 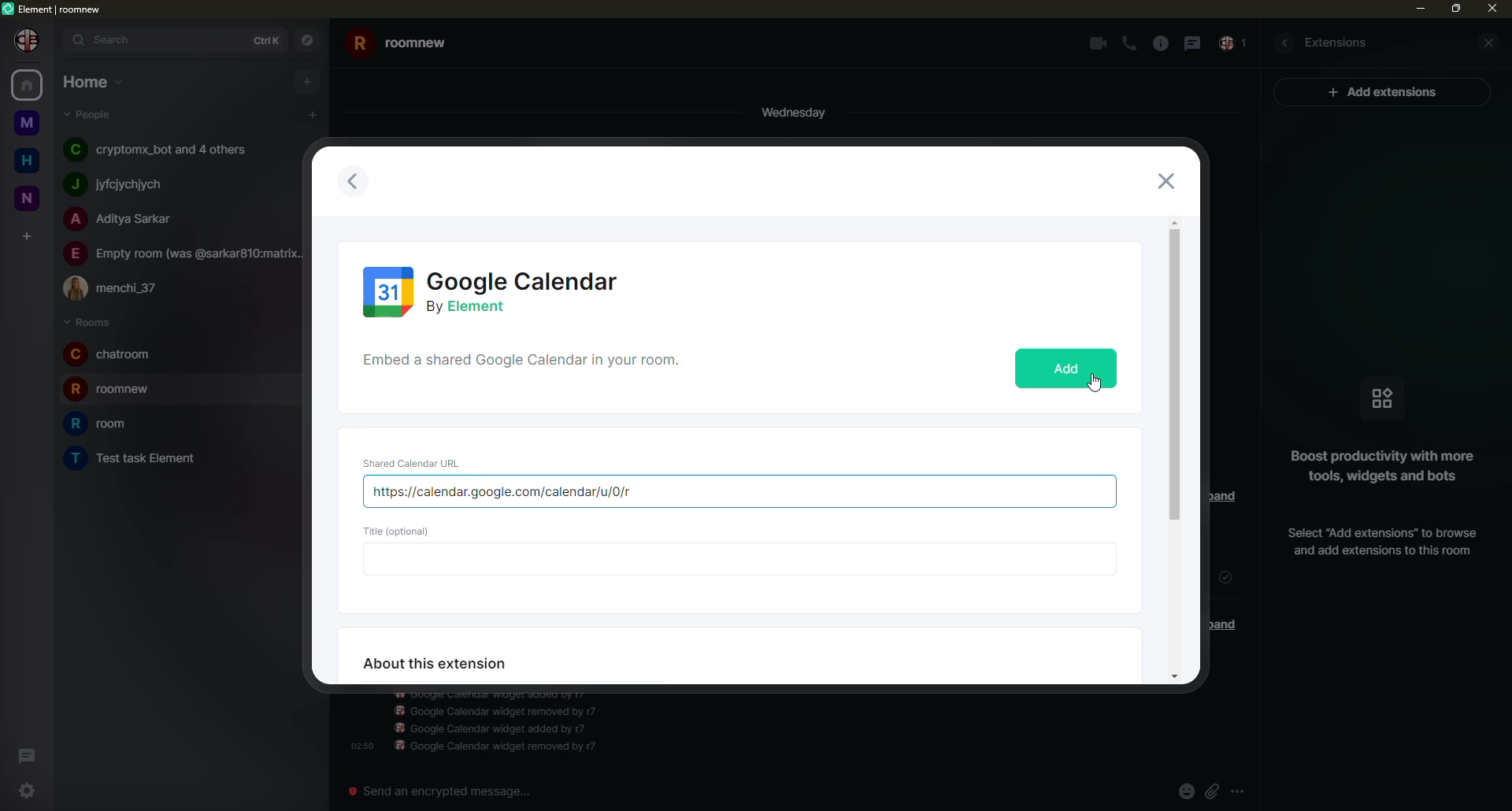 I want to click on attach, so click(x=1210, y=790).